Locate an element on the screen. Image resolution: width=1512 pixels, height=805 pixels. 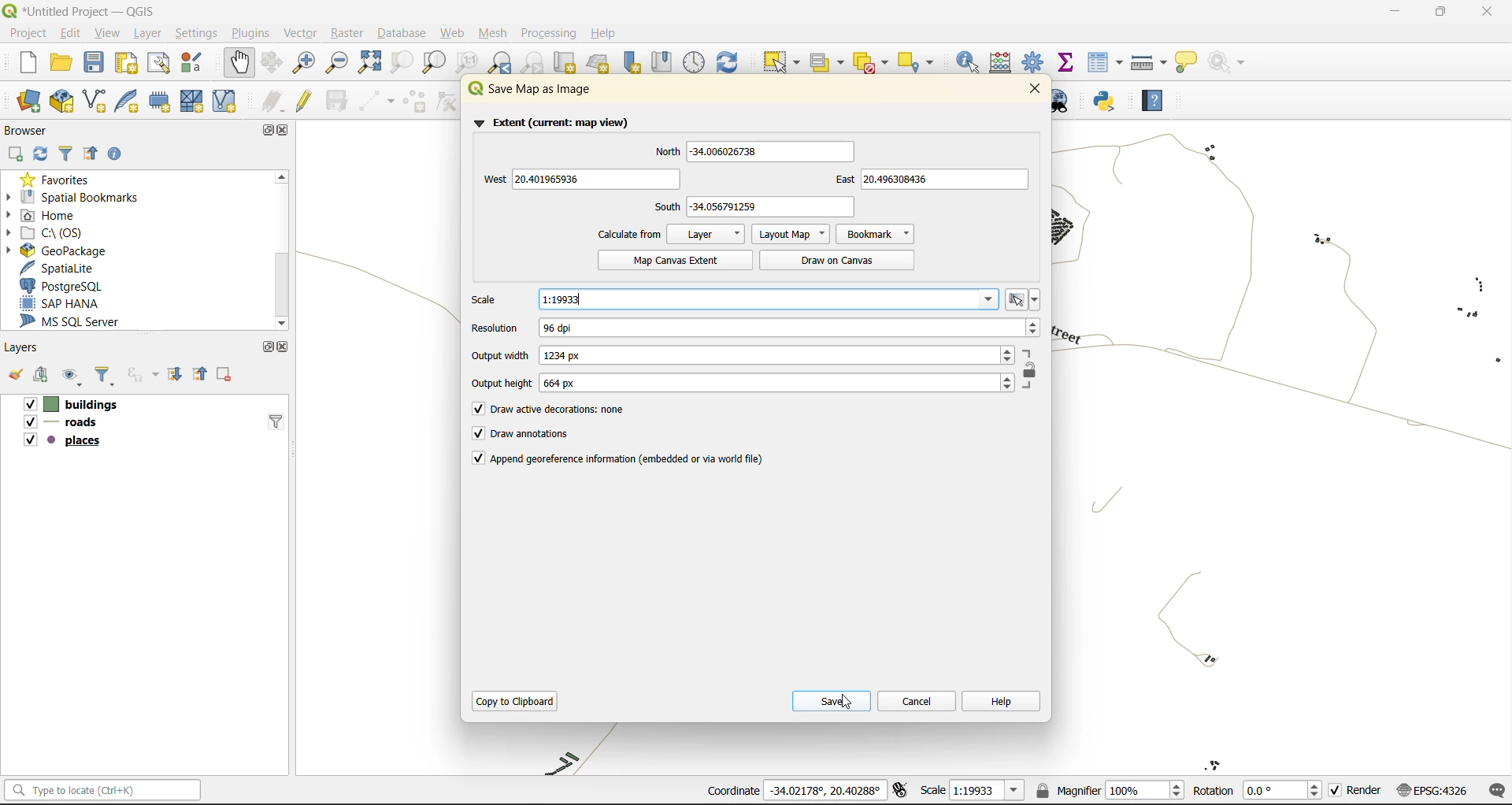
north is located at coordinates (750, 150).